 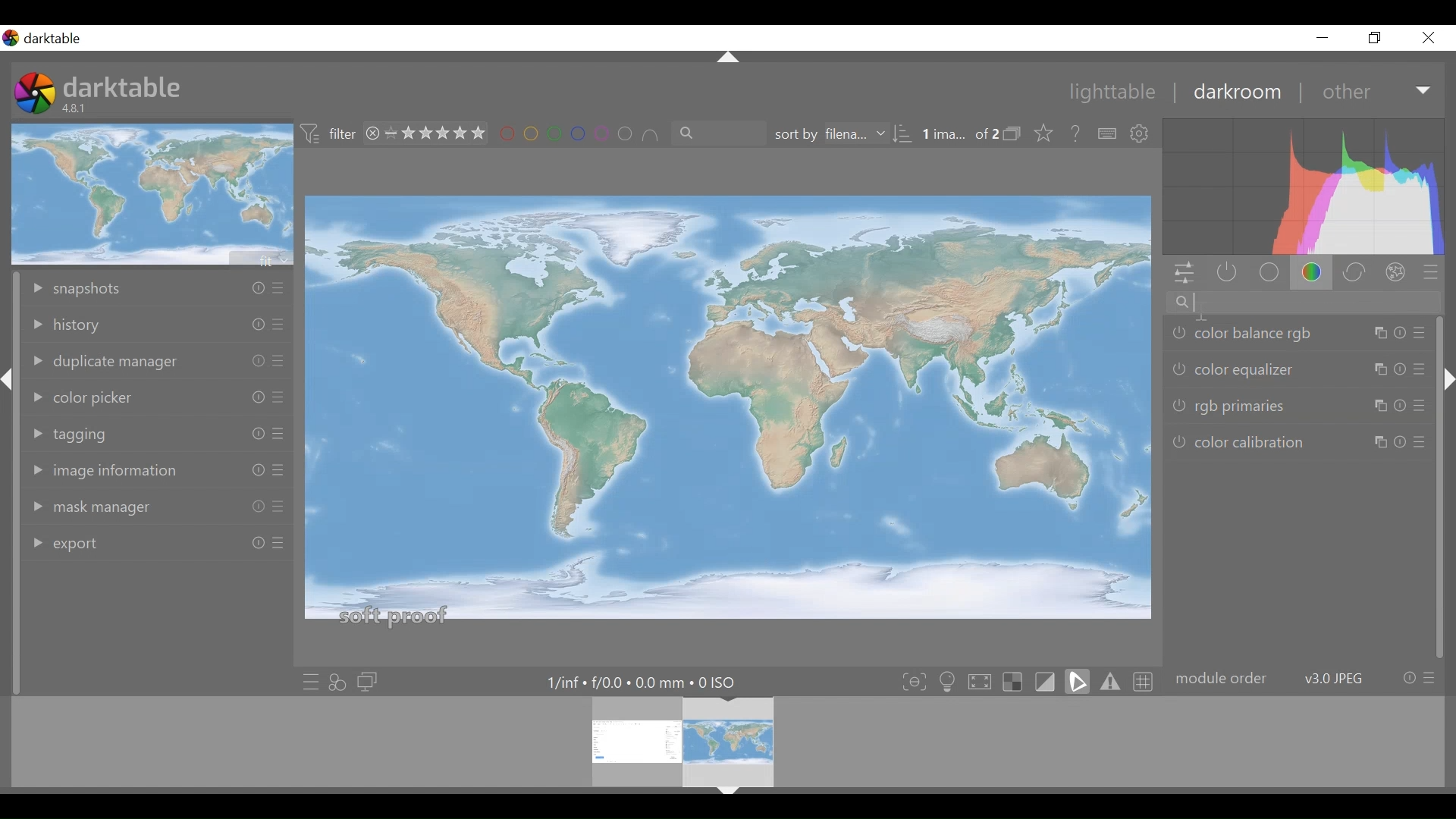 What do you see at coordinates (1322, 37) in the screenshot?
I see `` at bounding box center [1322, 37].